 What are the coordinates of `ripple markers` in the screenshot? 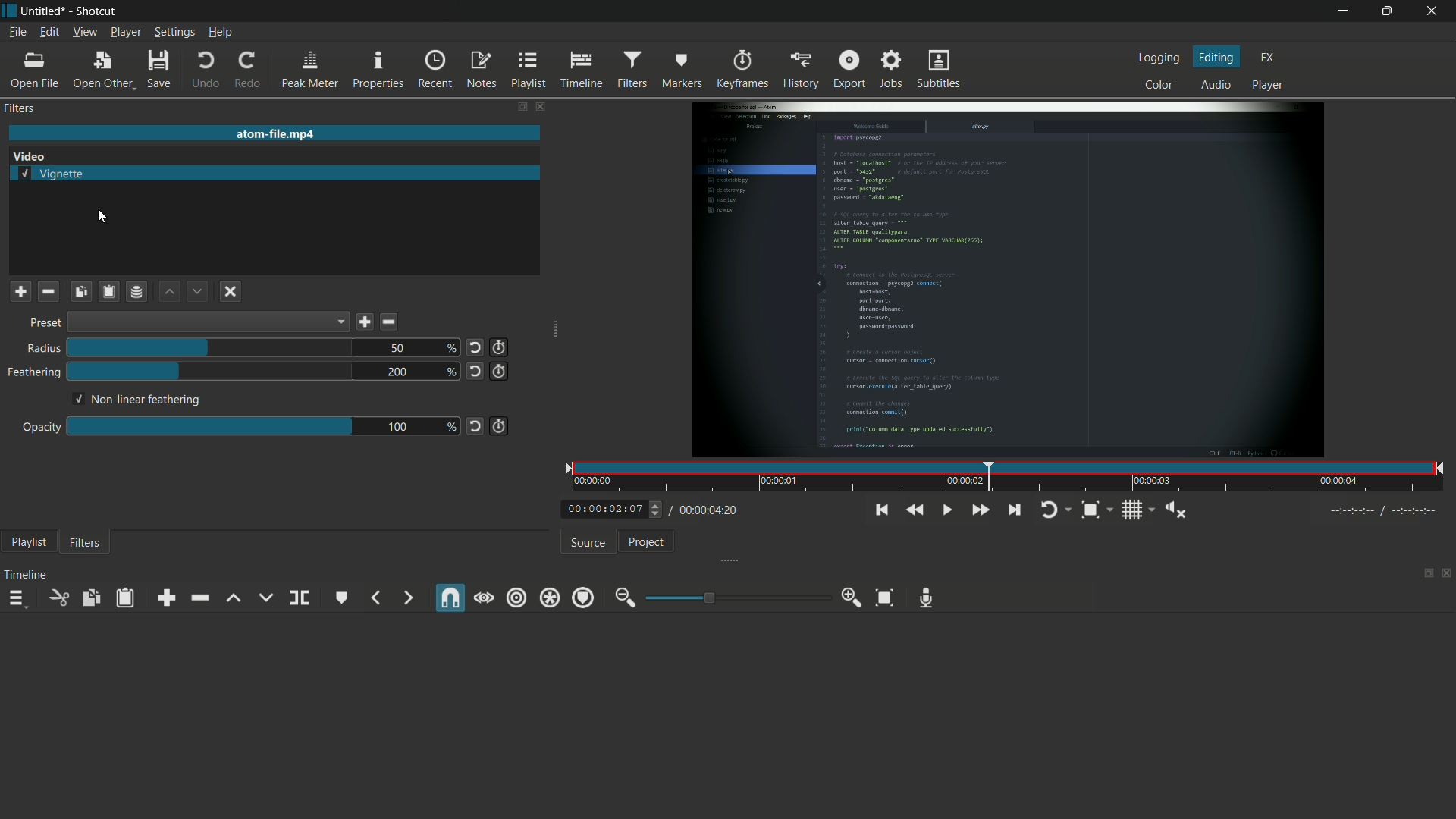 It's located at (583, 598).